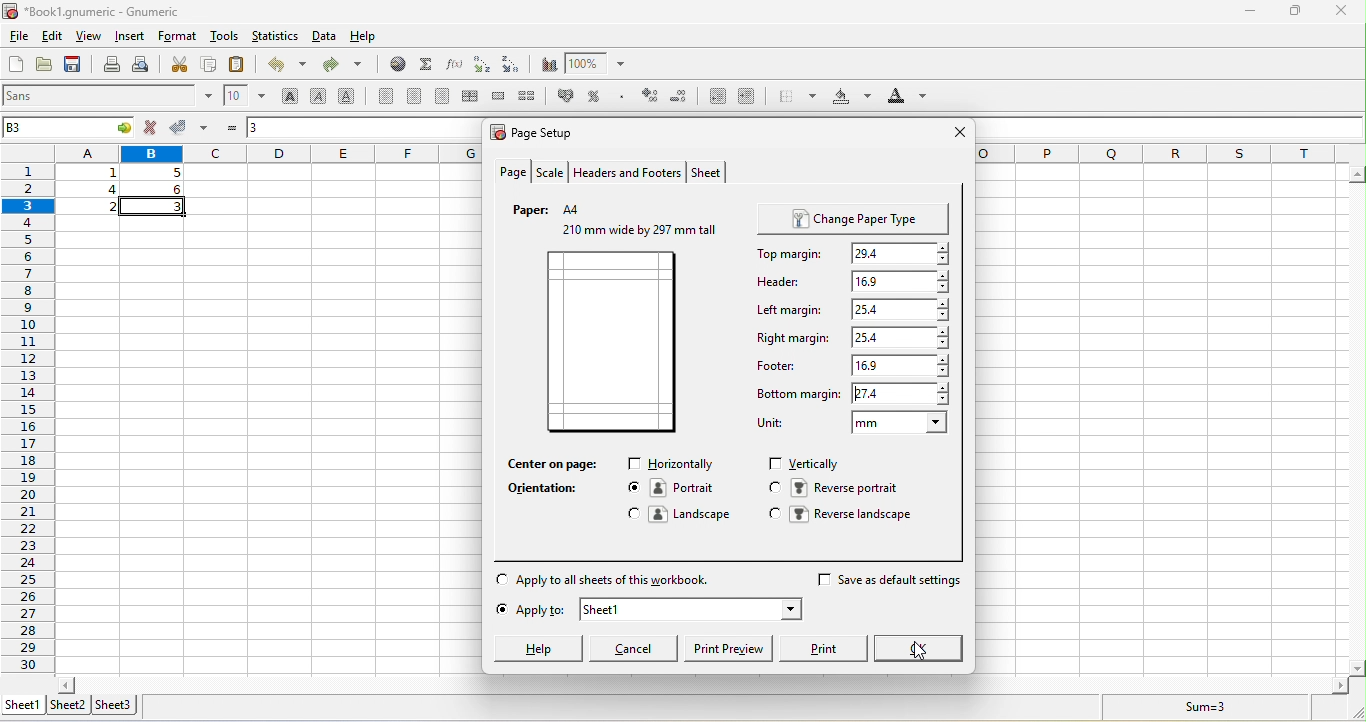 This screenshot has height=722, width=1366. I want to click on font size, so click(244, 97).